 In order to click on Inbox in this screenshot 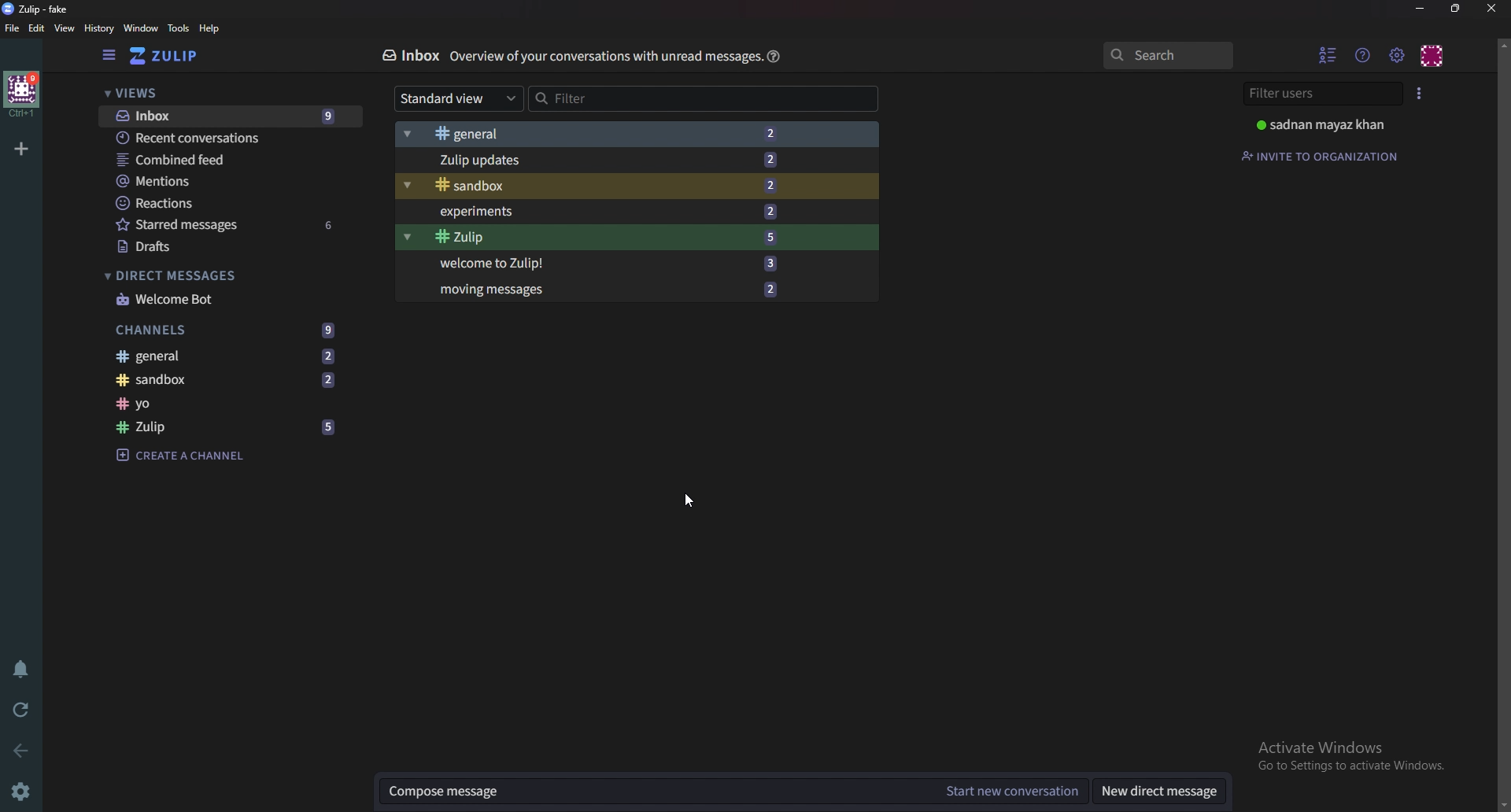, I will do `click(224, 116)`.